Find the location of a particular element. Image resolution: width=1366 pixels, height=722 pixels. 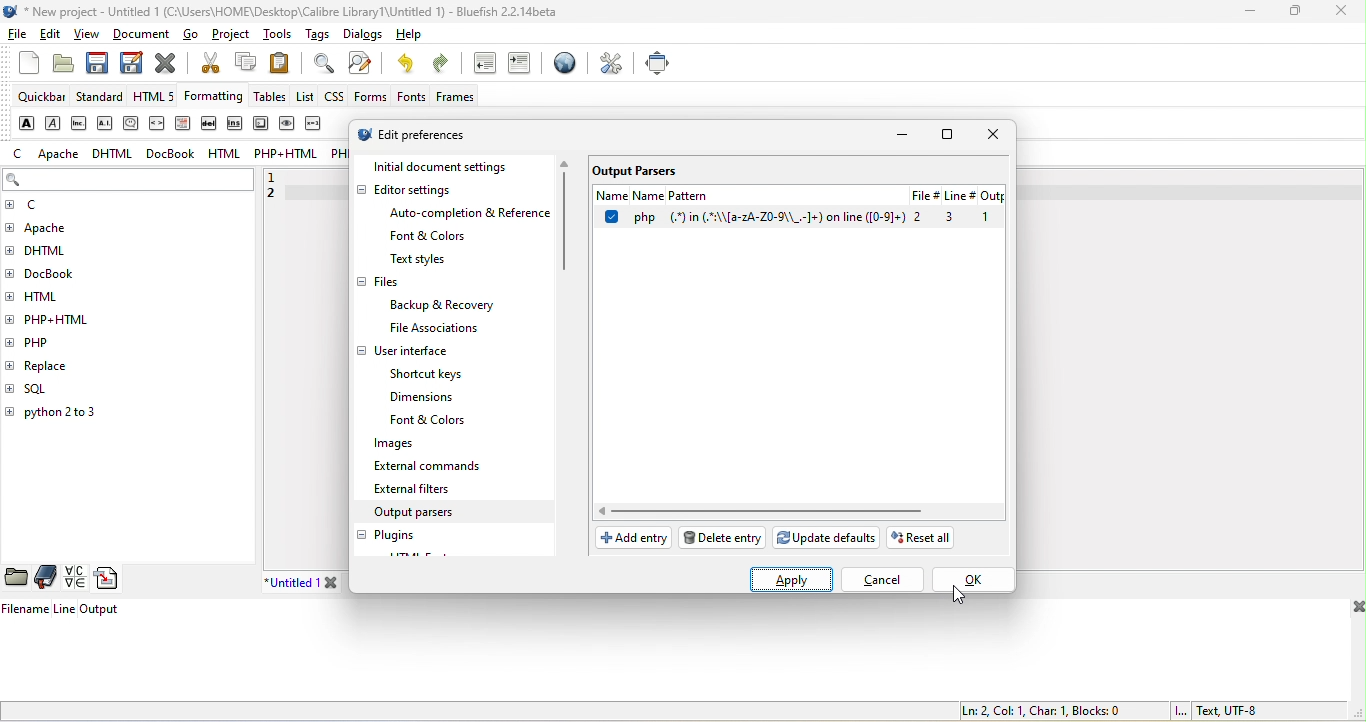

c is located at coordinates (38, 206).